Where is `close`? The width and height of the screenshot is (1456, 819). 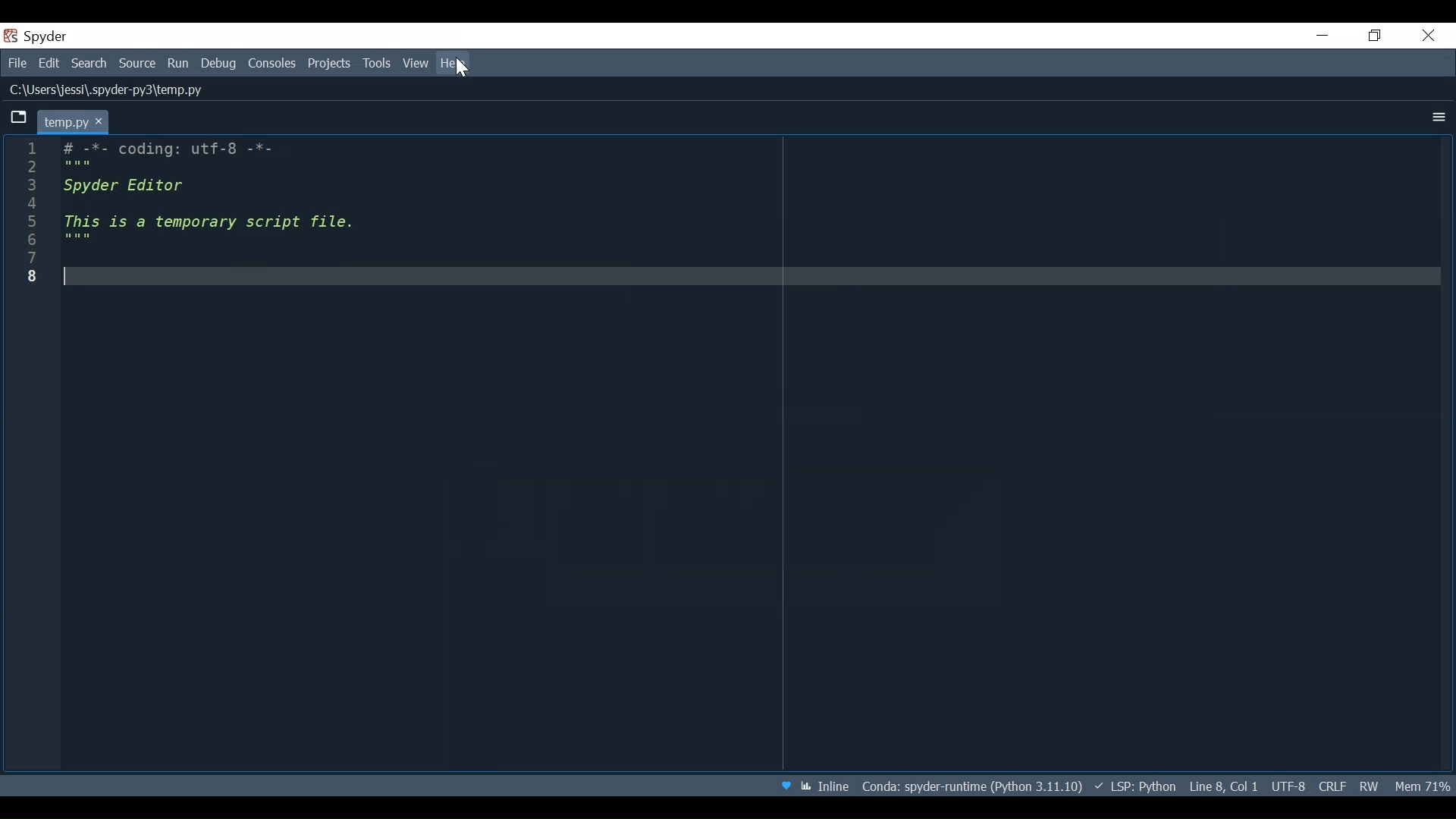 close is located at coordinates (105, 121).